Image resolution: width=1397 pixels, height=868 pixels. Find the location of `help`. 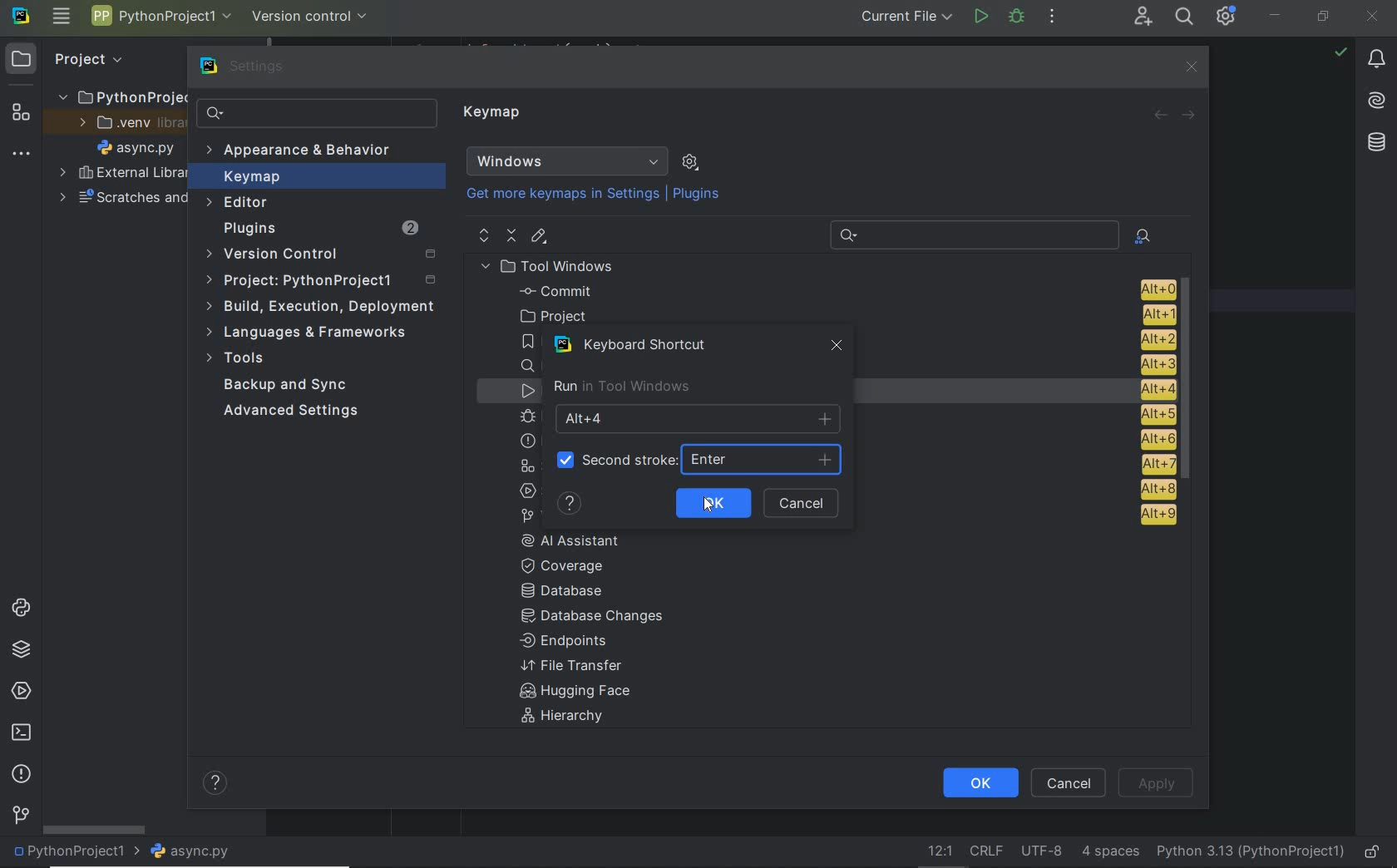

help is located at coordinates (217, 785).